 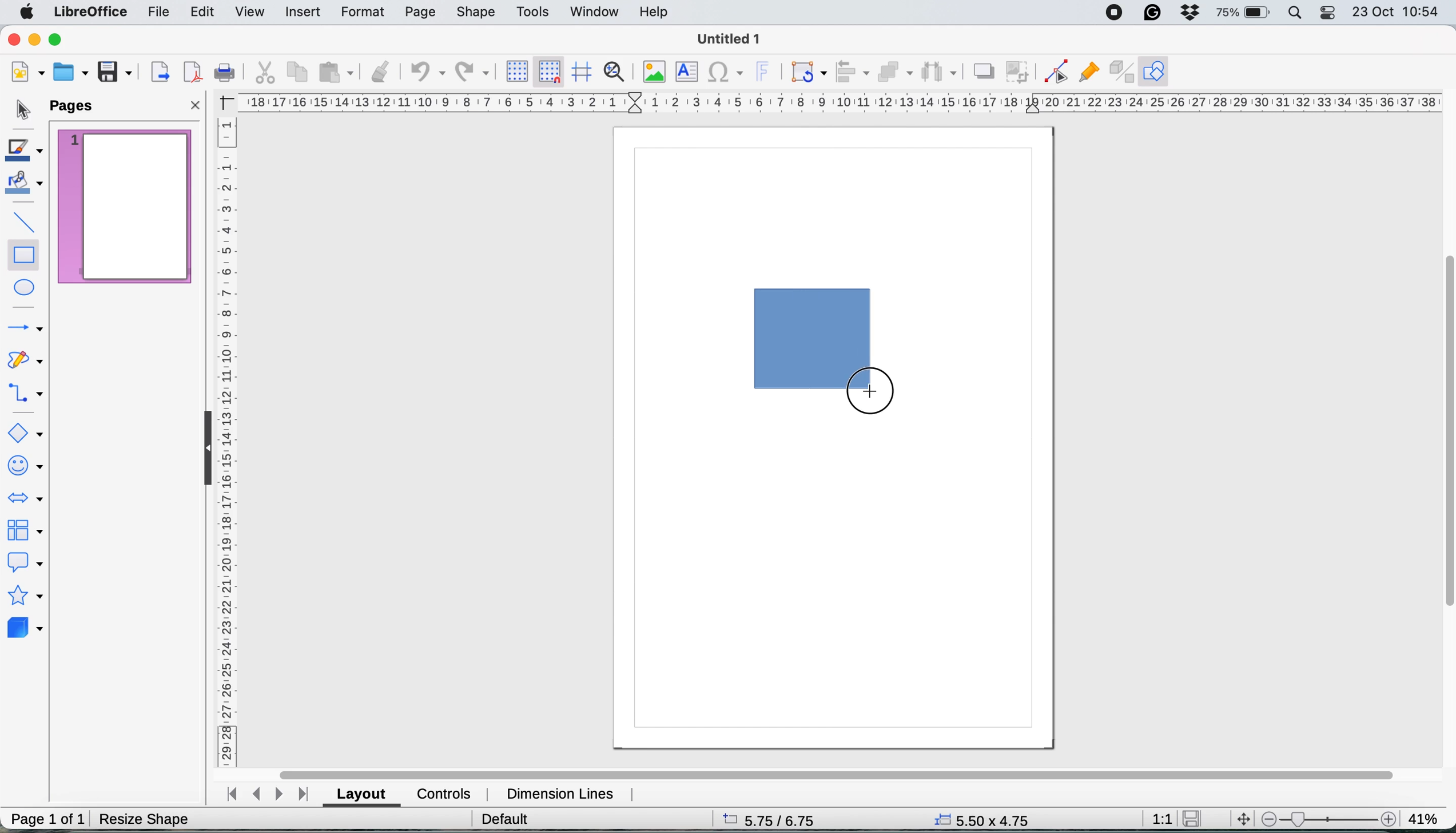 I want to click on file, so click(x=156, y=13).